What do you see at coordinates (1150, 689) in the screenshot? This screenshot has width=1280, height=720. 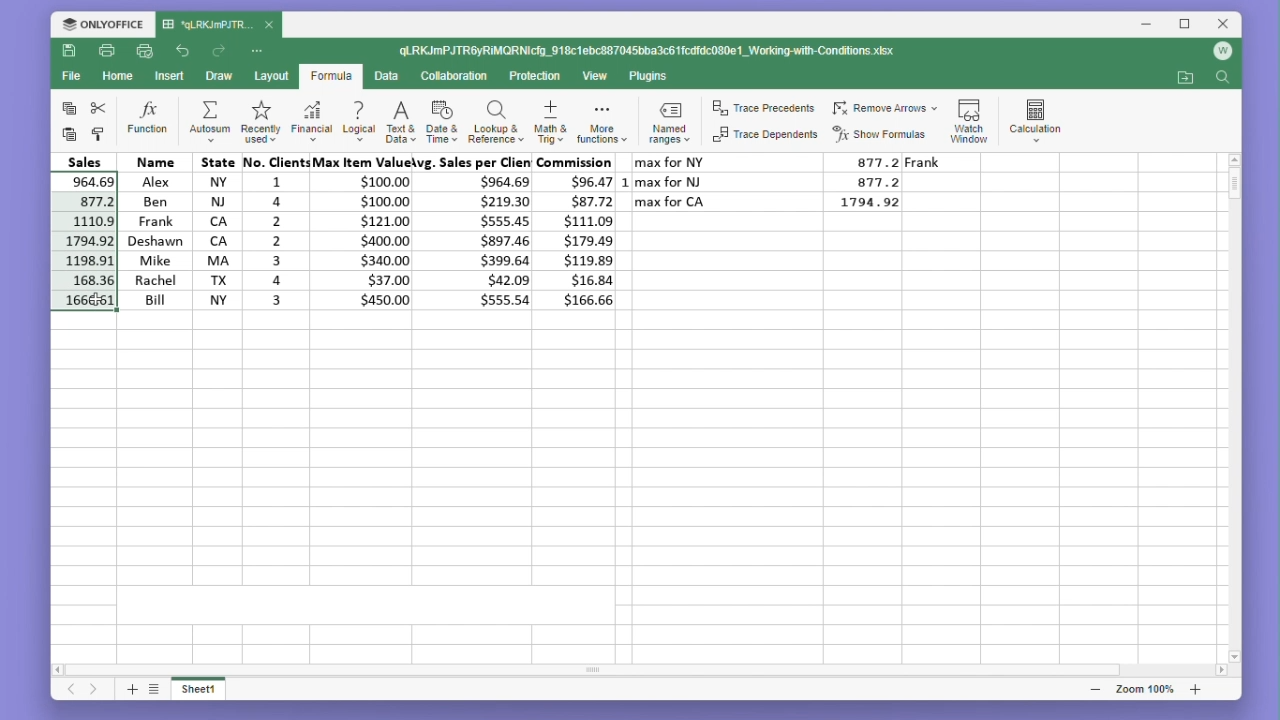 I see `Zoom 100%` at bounding box center [1150, 689].